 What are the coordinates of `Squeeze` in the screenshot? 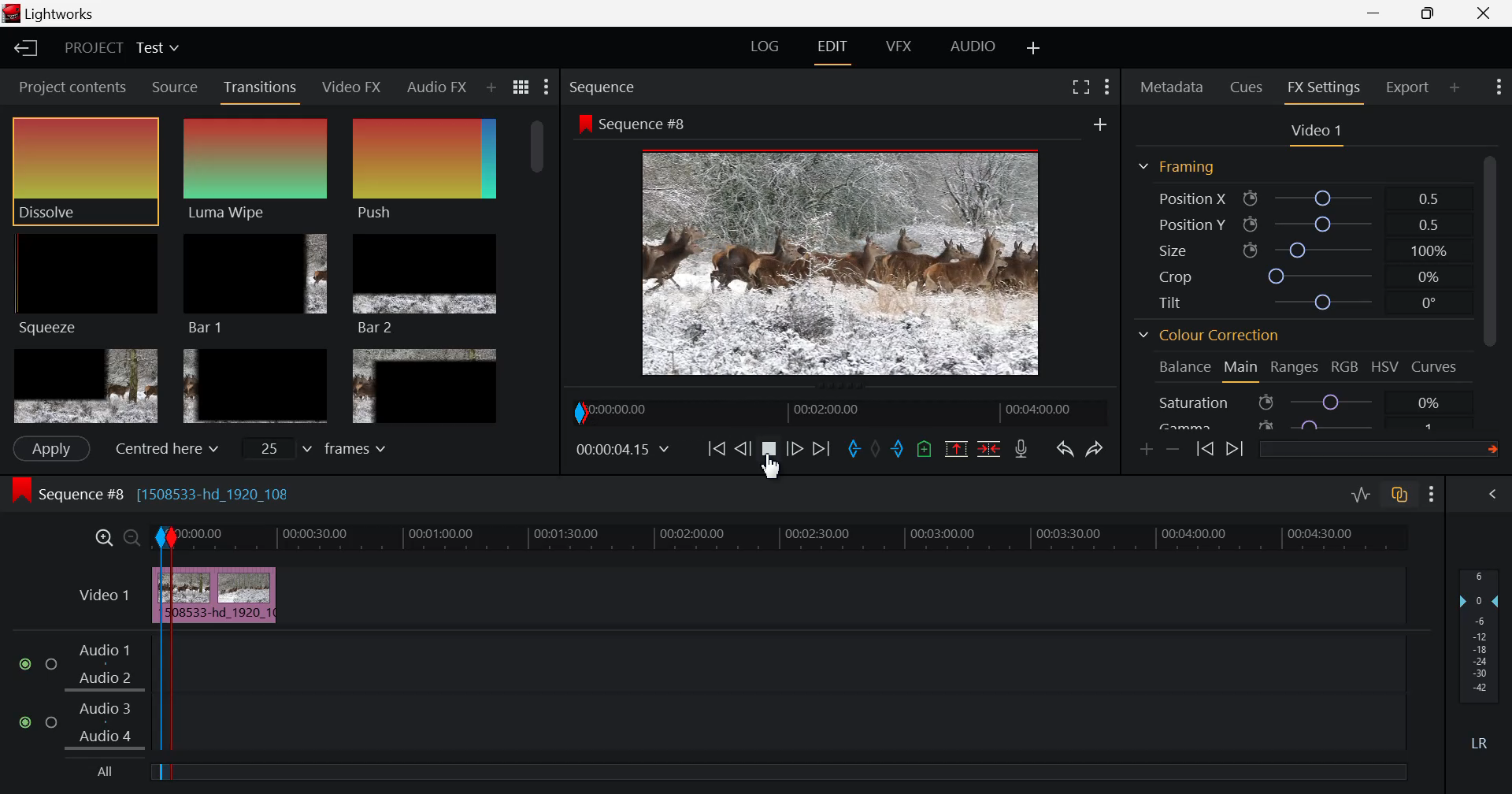 It's located at (84, 283).